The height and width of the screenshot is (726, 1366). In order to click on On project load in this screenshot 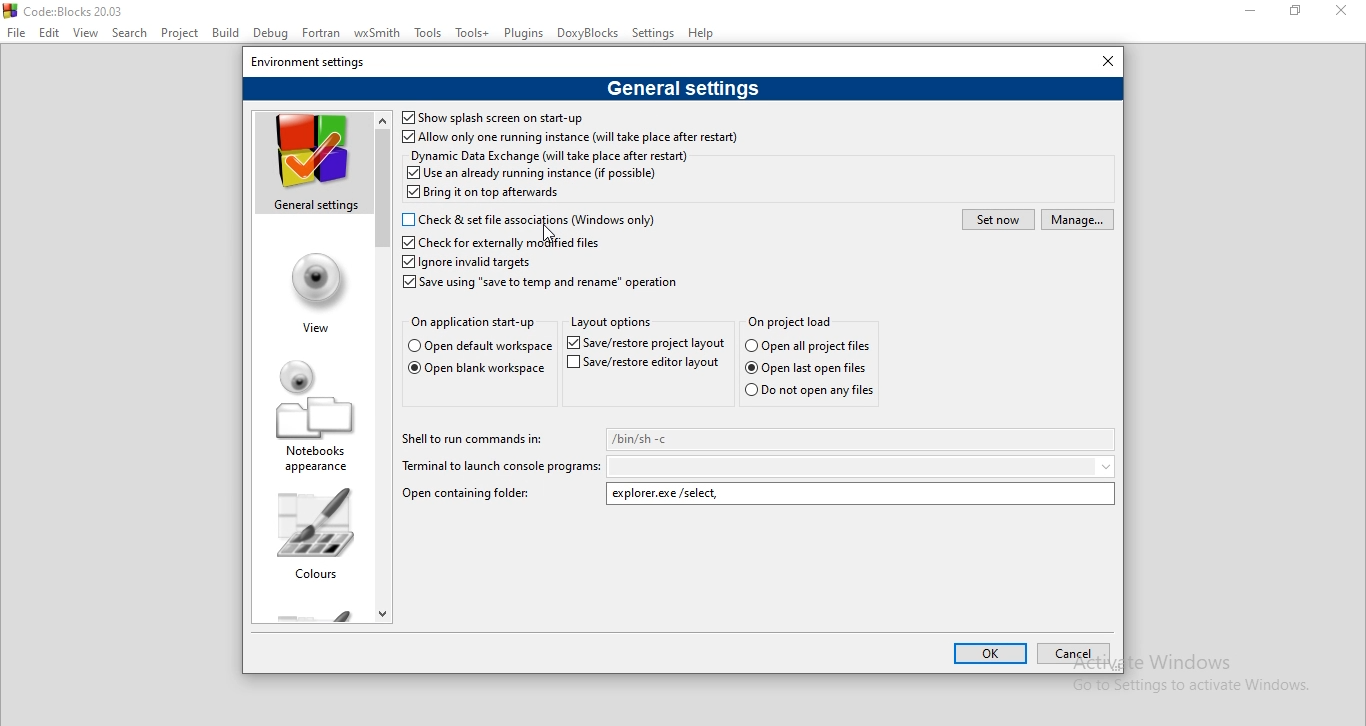, I will do `click(791, 320)`.